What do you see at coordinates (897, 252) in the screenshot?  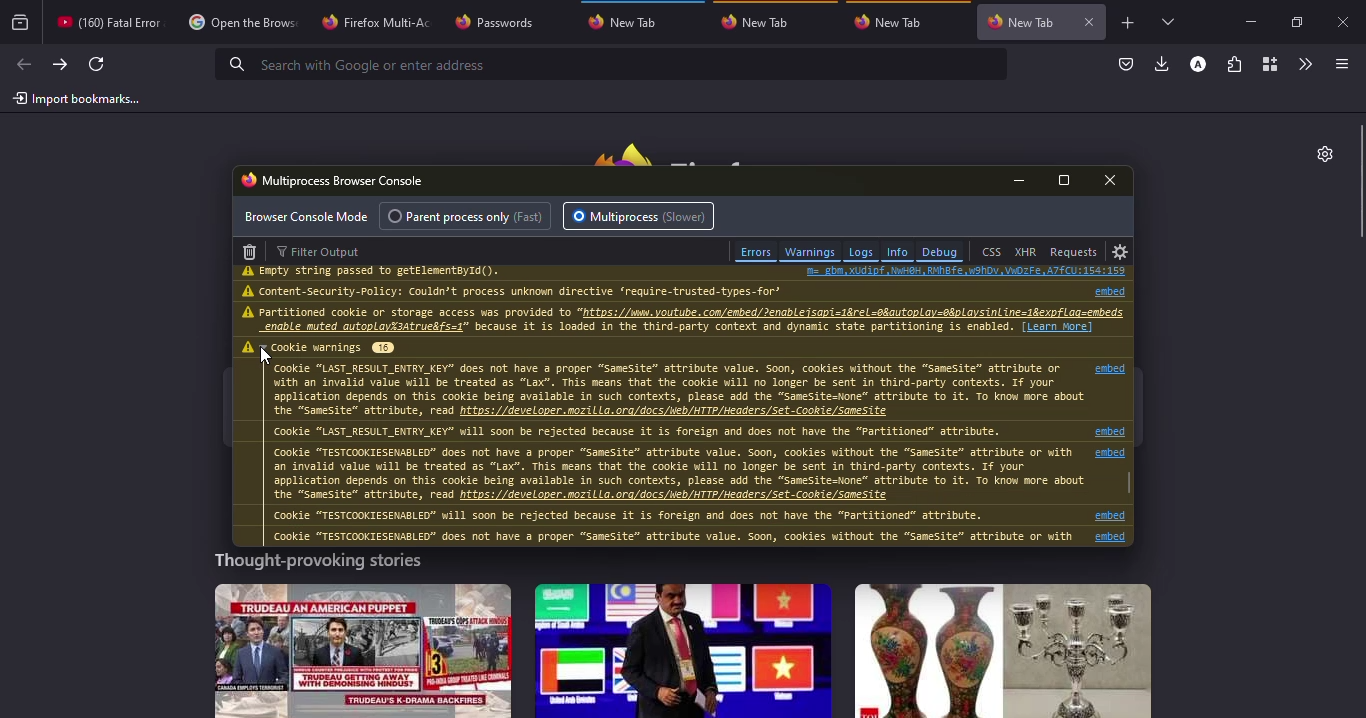 I see `info` at bounding box center [897, 252].